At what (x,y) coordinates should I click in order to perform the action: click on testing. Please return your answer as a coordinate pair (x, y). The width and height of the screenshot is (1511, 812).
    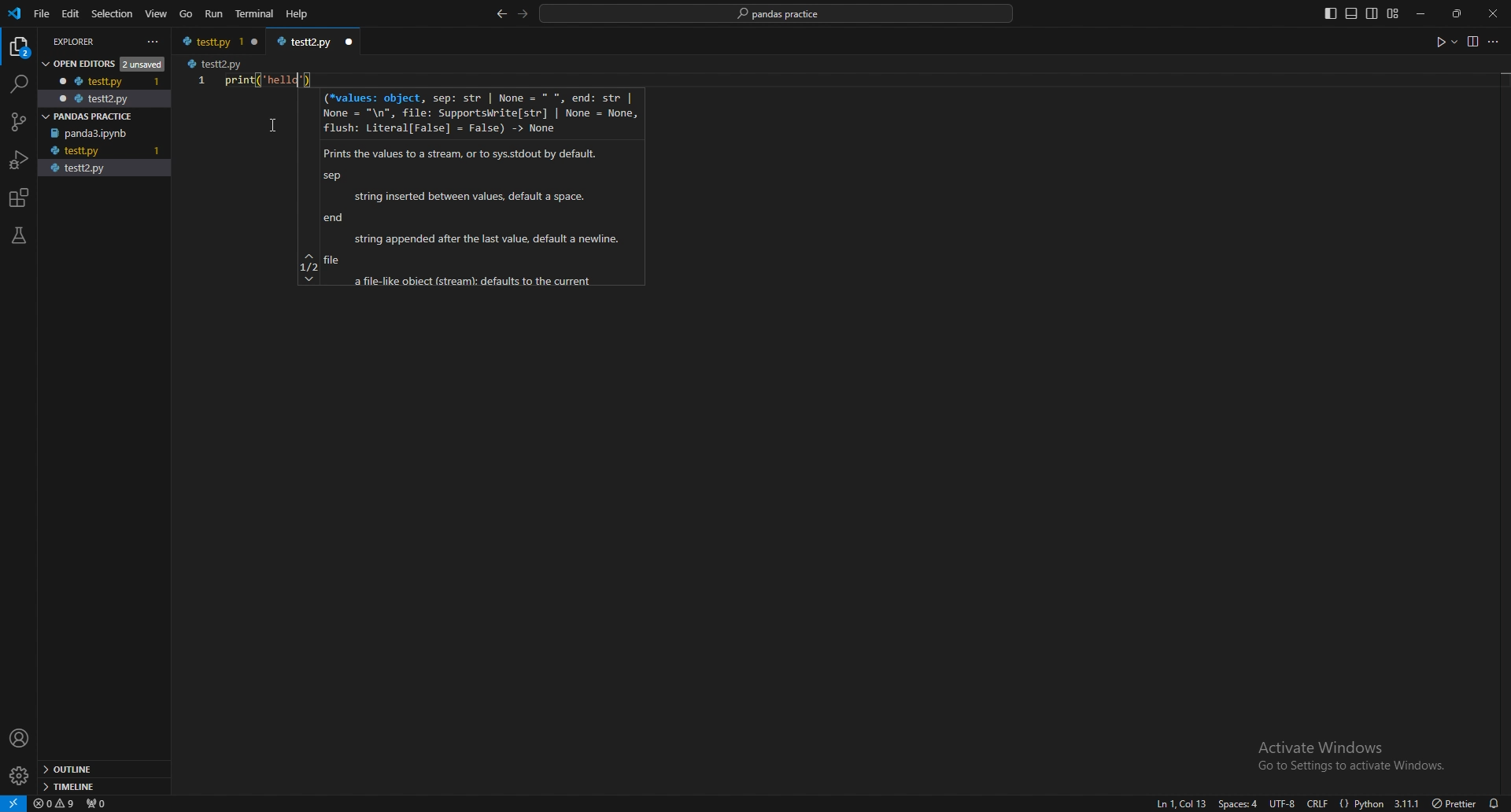
    Looking at the image, I should click on (19, 235).